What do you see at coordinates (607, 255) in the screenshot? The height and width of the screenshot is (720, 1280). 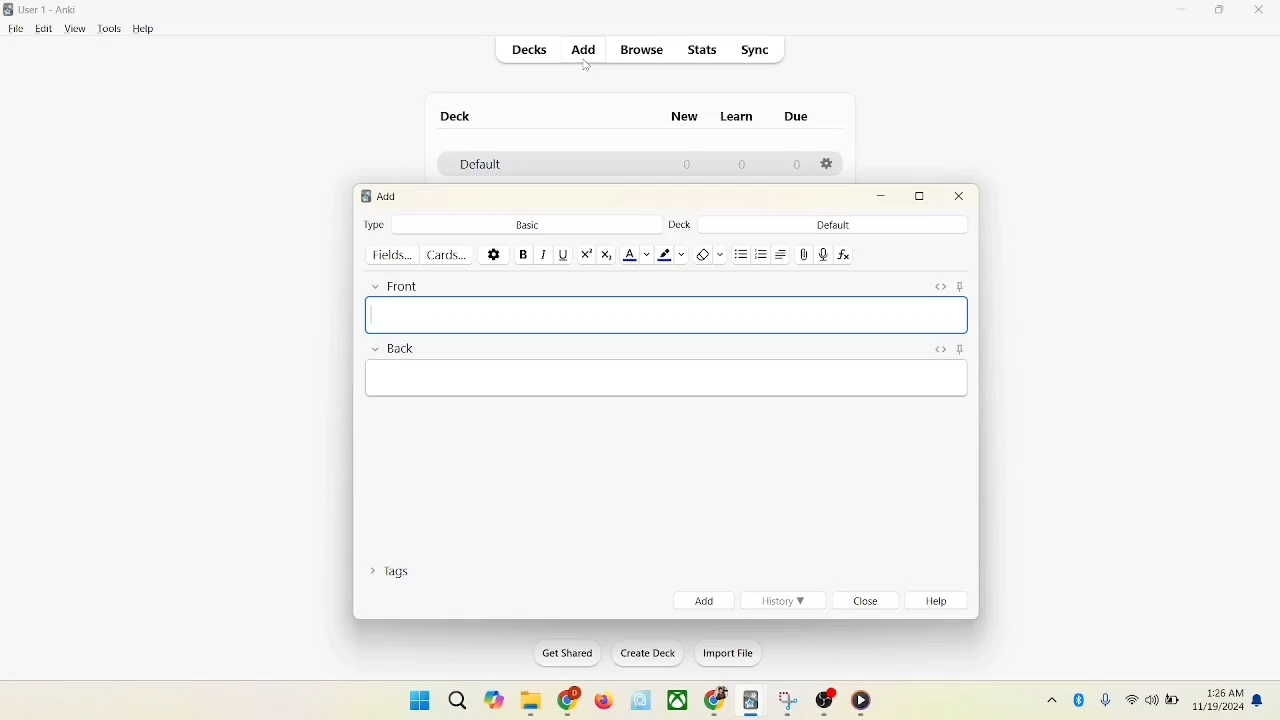 I see `subscript` at bounding box center [607, 255].